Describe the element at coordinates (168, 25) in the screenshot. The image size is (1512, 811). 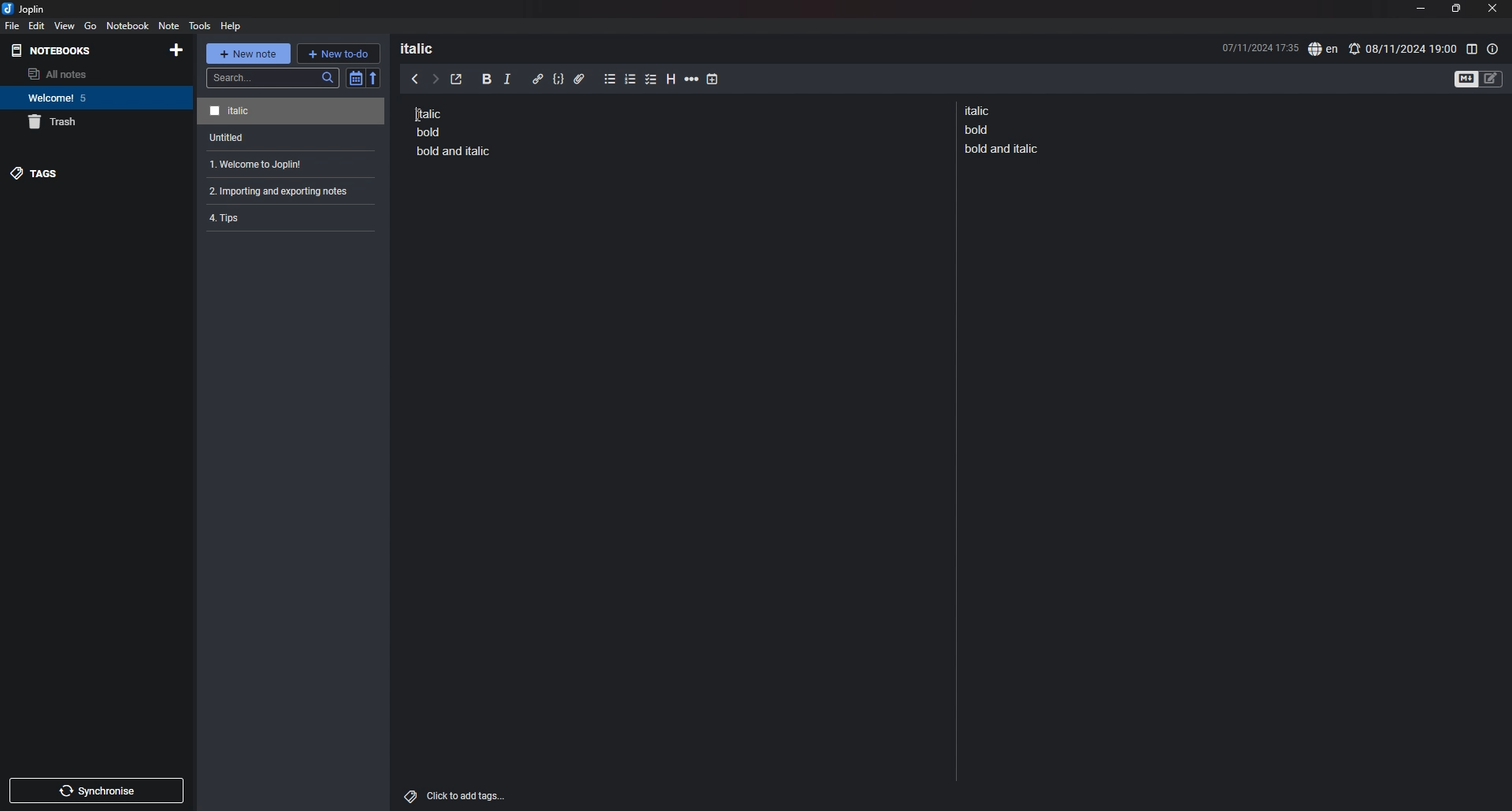
I see `note` at that location.